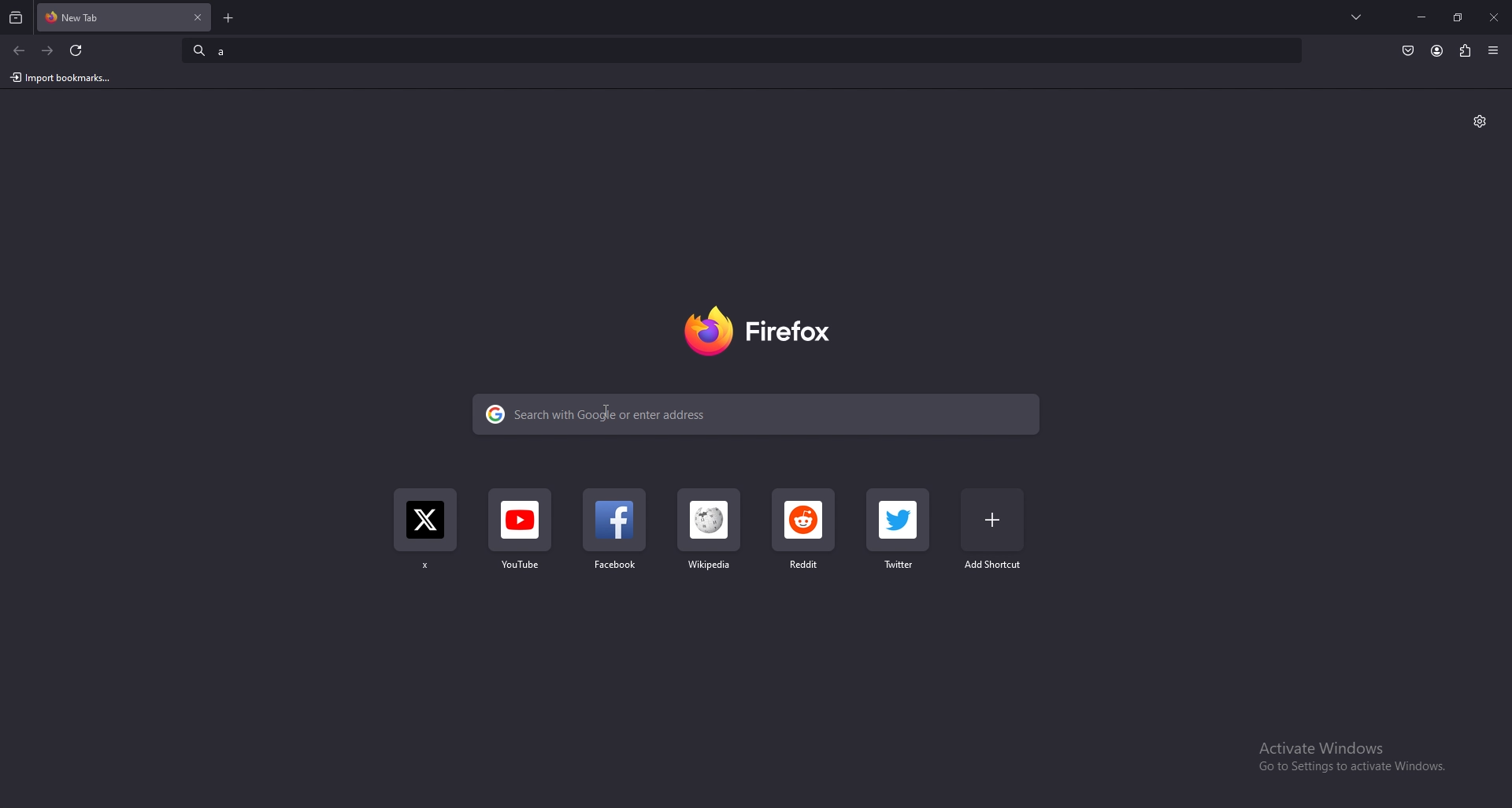 This screenshot has height=808, width=1512. Describe the element at coordinates (1458, 17) in the screenshot. I see `resize` at that location.